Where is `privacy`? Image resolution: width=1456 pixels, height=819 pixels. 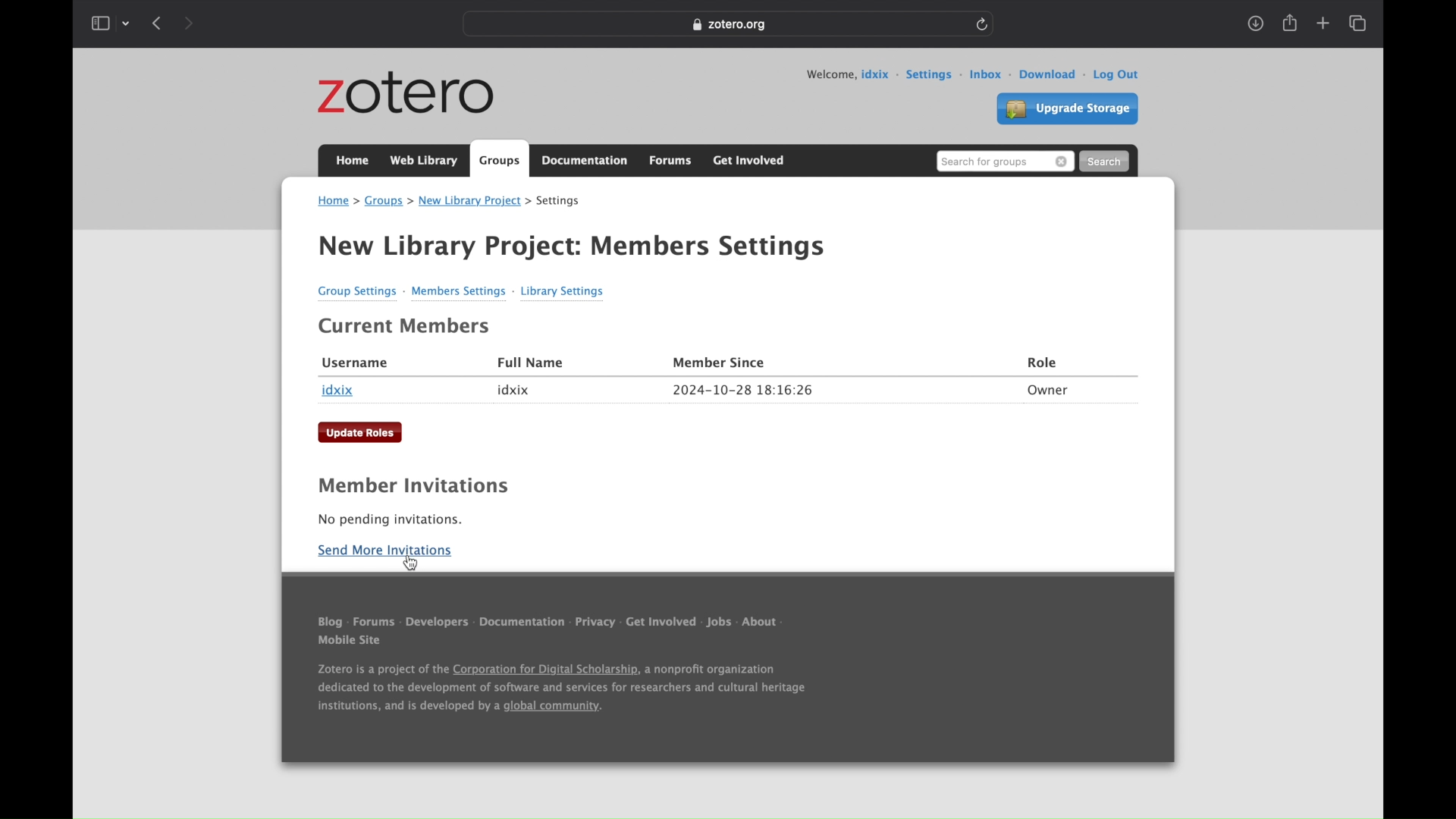
privacy is located at coordinates (595, 622).